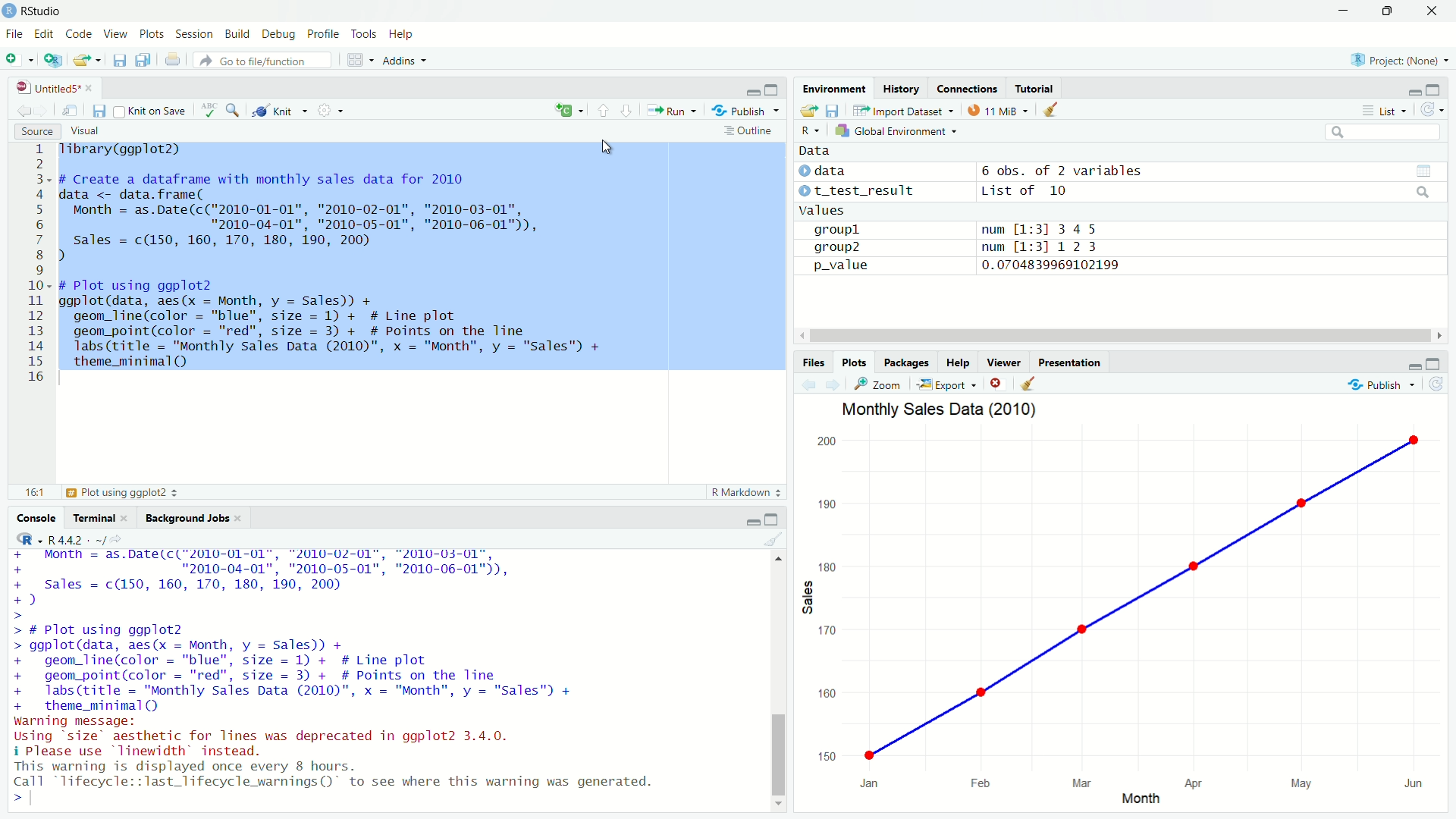 This screenshot has width=1456, height=819. I want to click on refresh the workspace, so click(1432, 111).